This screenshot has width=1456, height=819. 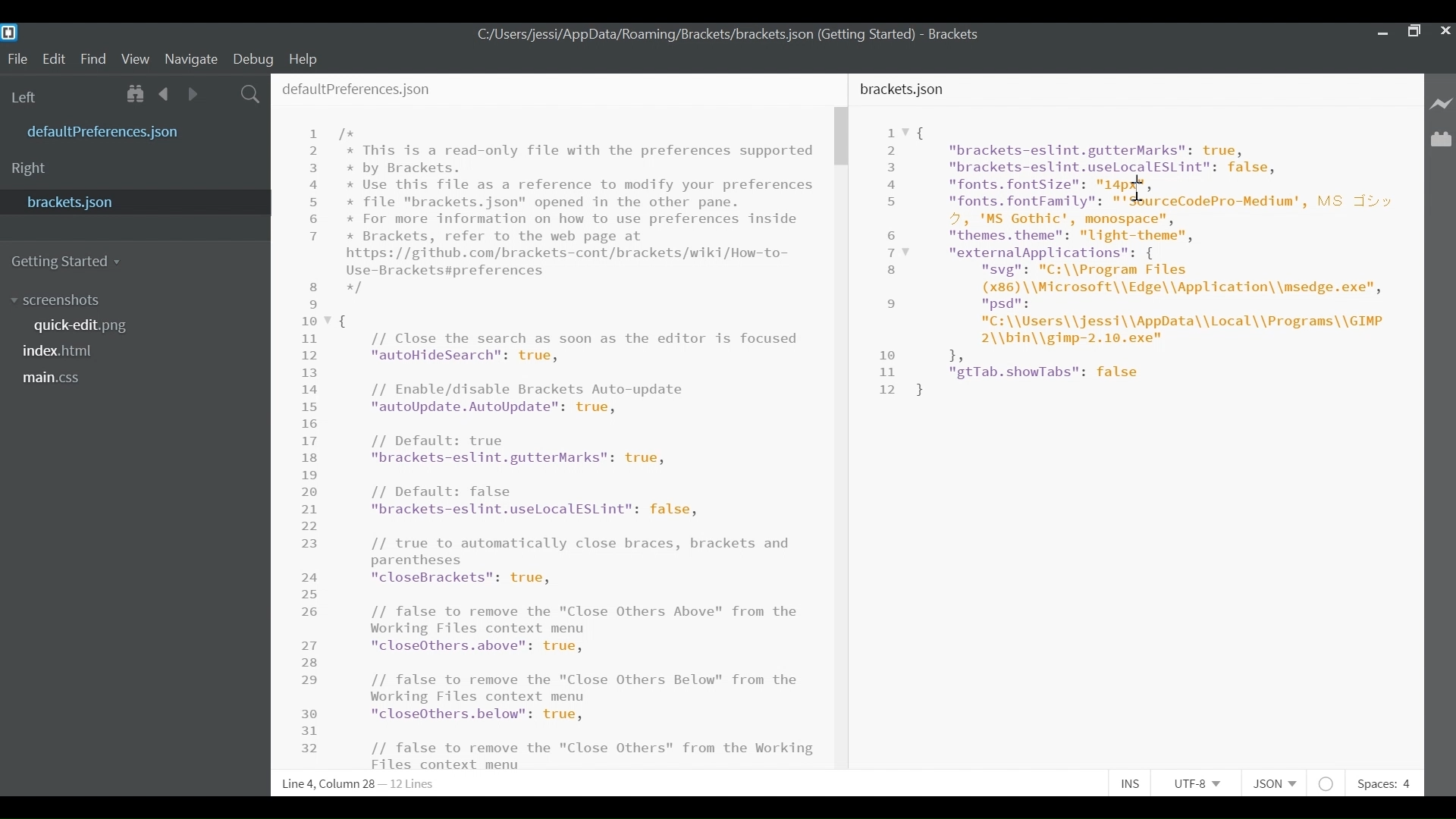 I want to click on index.html file, so click(x=64, y=353).